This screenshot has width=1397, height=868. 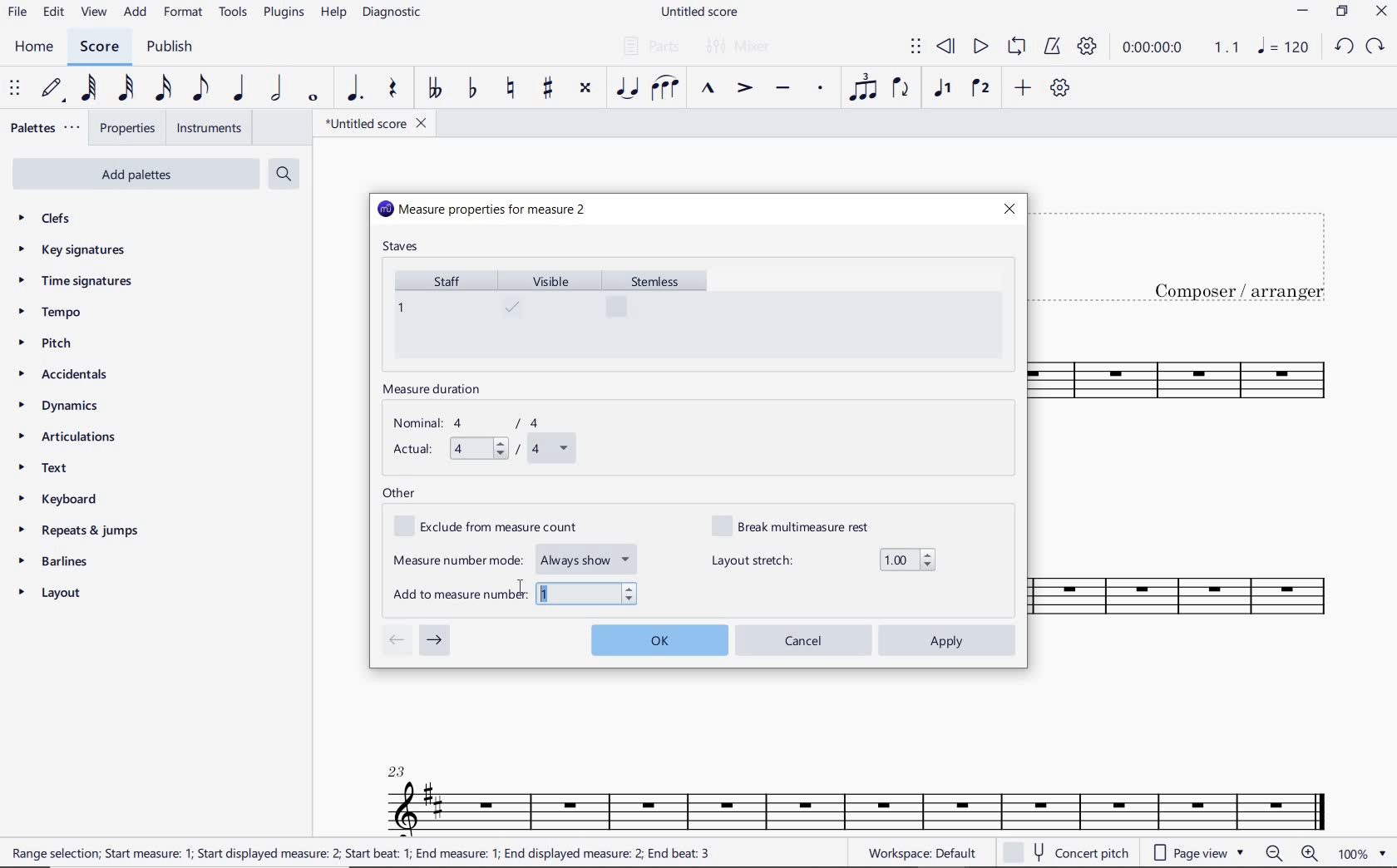 I want to click on page view, so click(x=1196, y=852).